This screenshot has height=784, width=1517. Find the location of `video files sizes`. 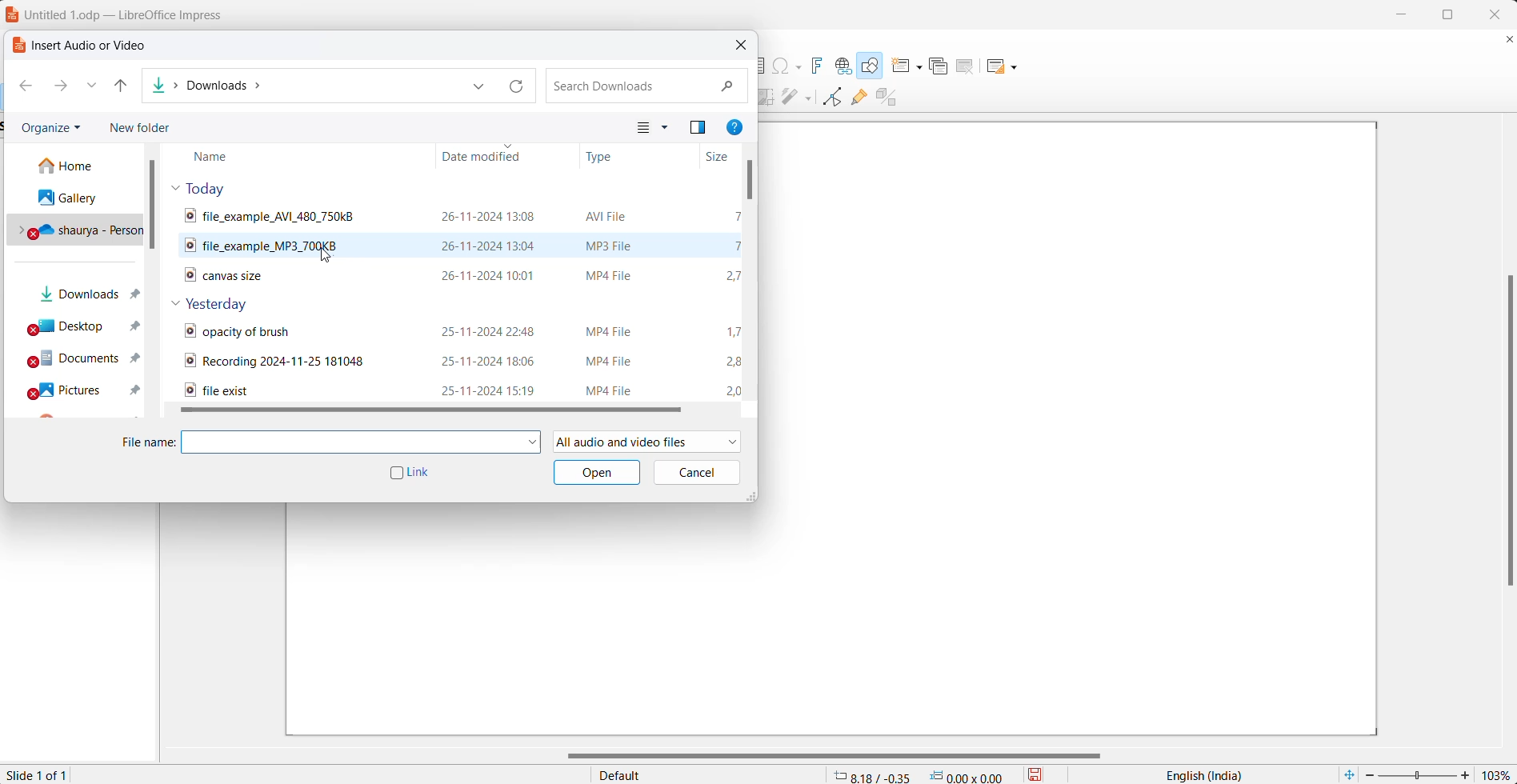

video files sizes is located at coordinates (738, 358).